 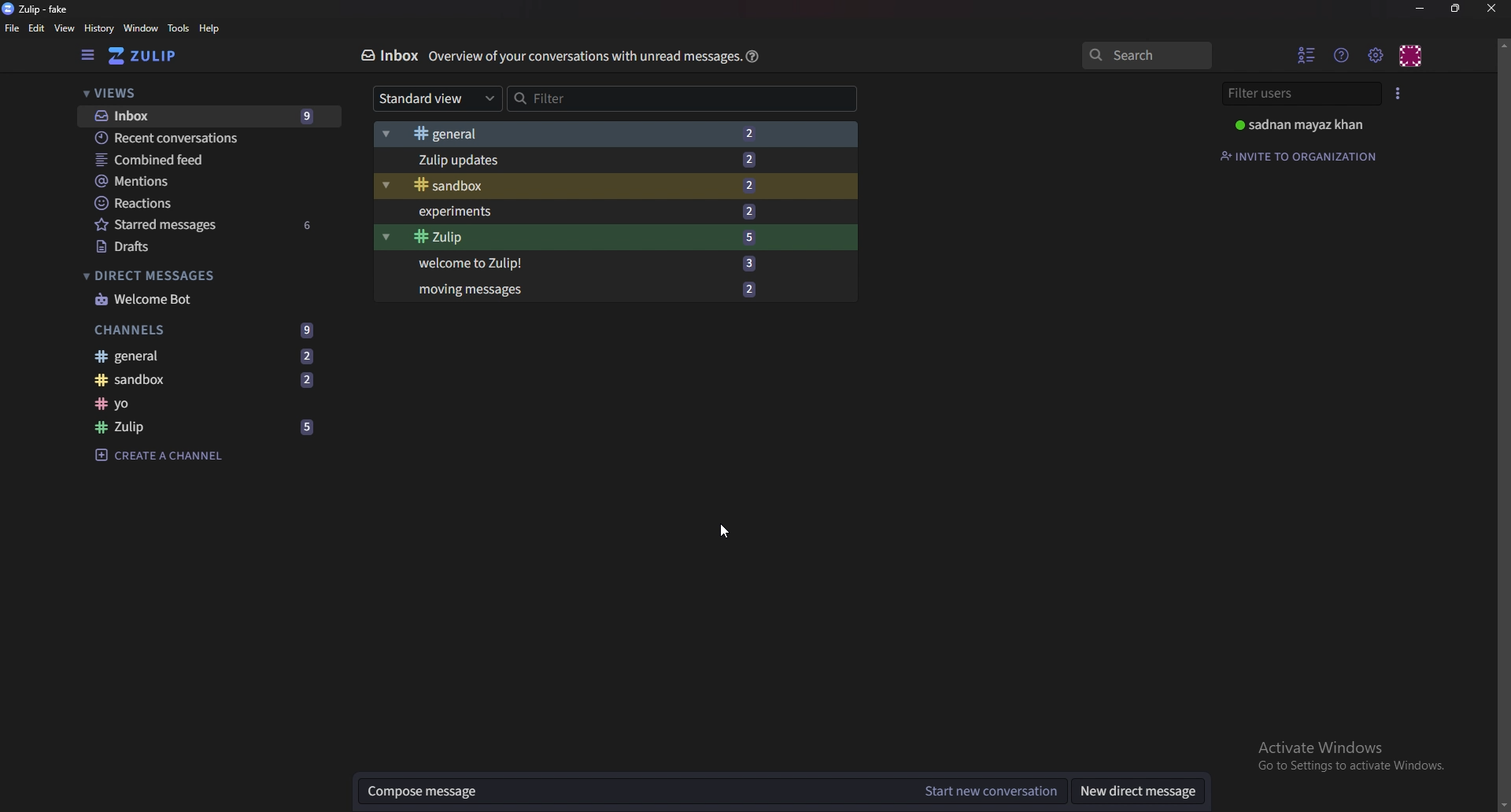 I want to click on Standard view, so click(x=438, y=99).